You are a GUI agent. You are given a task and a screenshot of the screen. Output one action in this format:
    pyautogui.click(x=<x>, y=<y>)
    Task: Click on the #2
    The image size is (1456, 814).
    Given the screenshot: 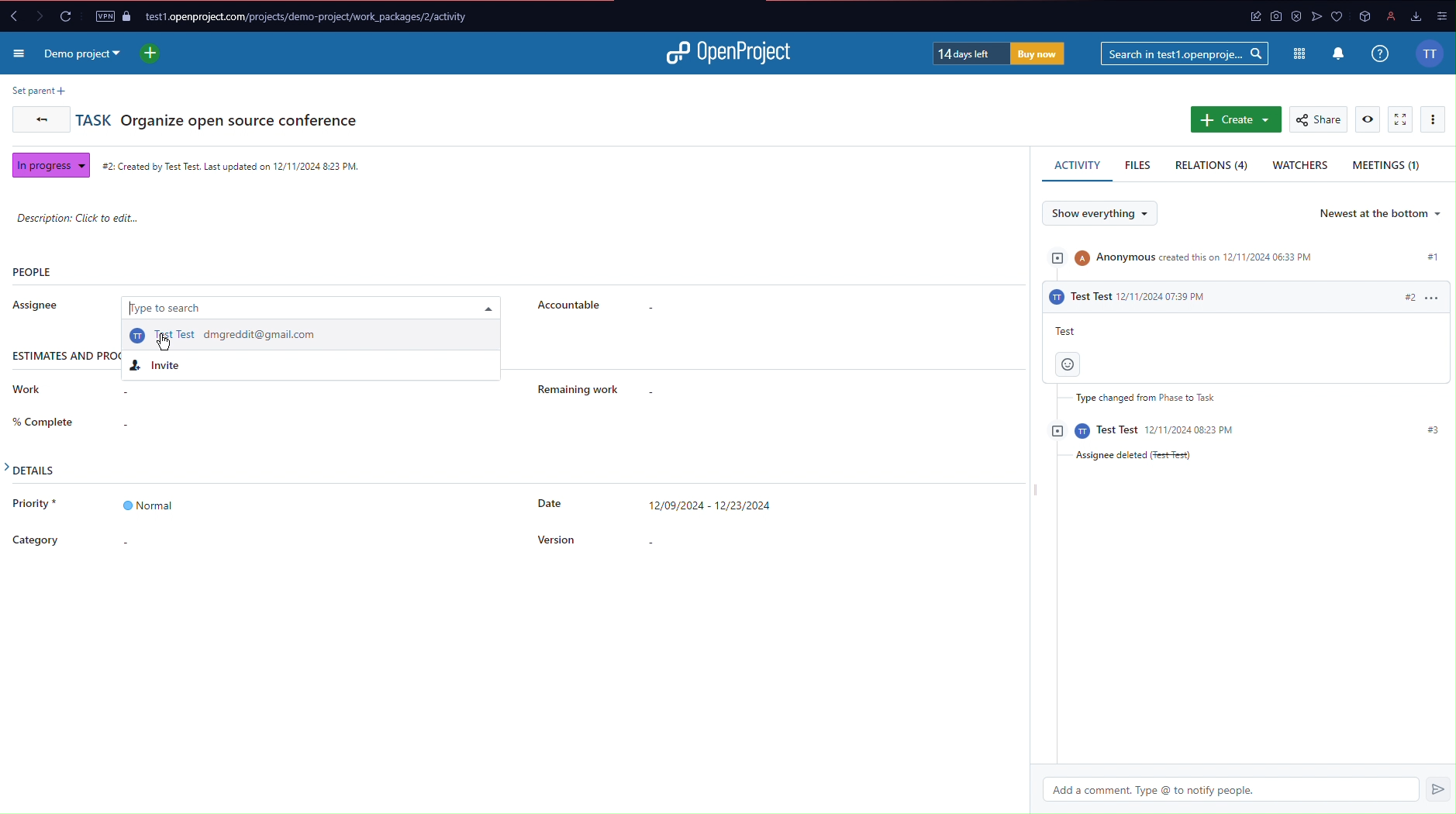 What is the action you would take?
    pyautogui.click(x=1424, y=296)
    